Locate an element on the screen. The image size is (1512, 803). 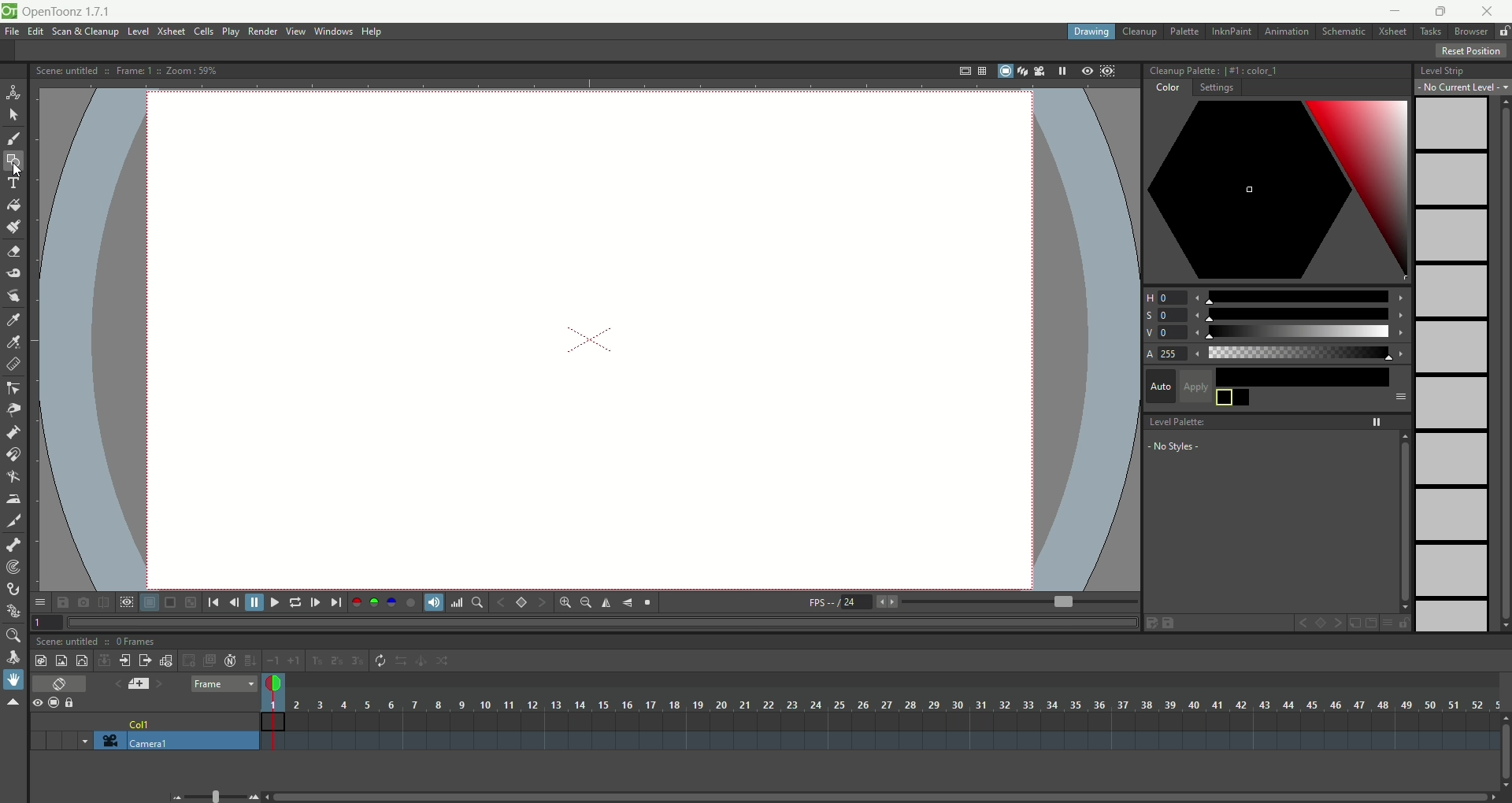
locator is located at coordinates (476, 602).